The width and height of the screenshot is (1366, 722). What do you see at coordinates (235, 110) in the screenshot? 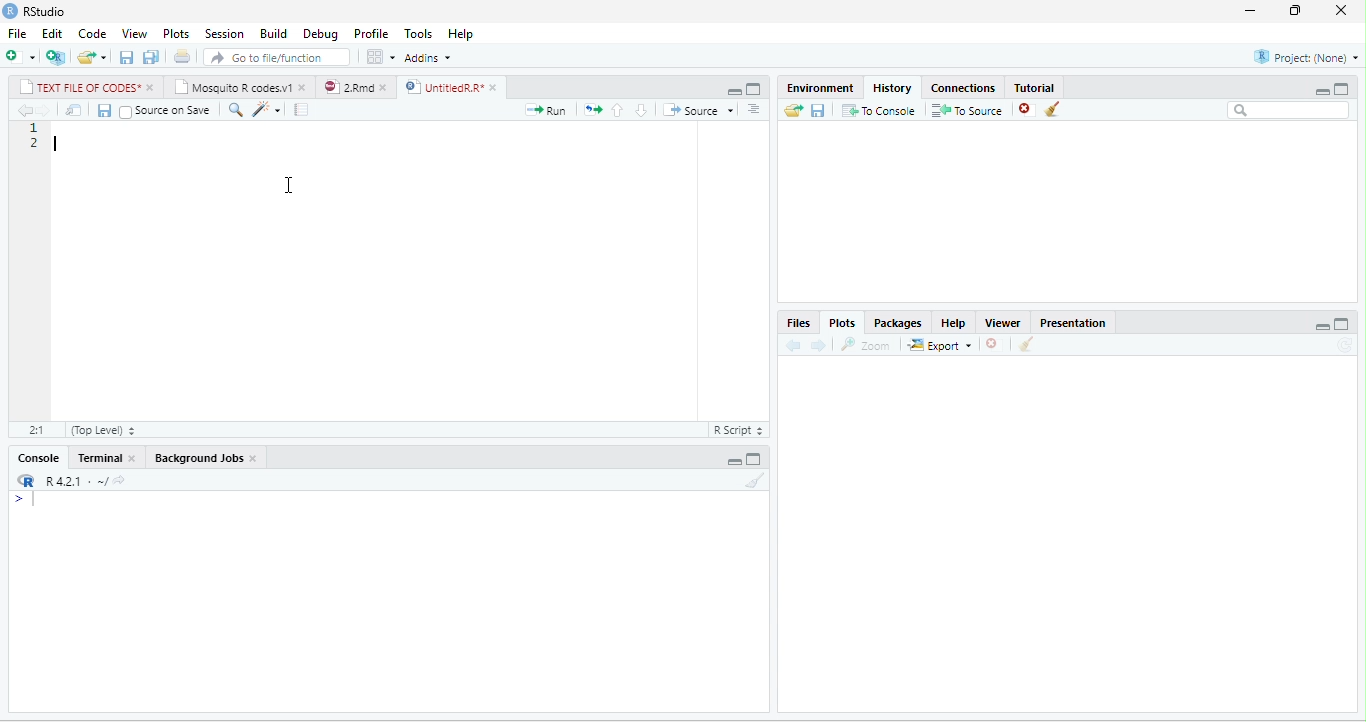
I see `search` at bounding box center [235, 110].